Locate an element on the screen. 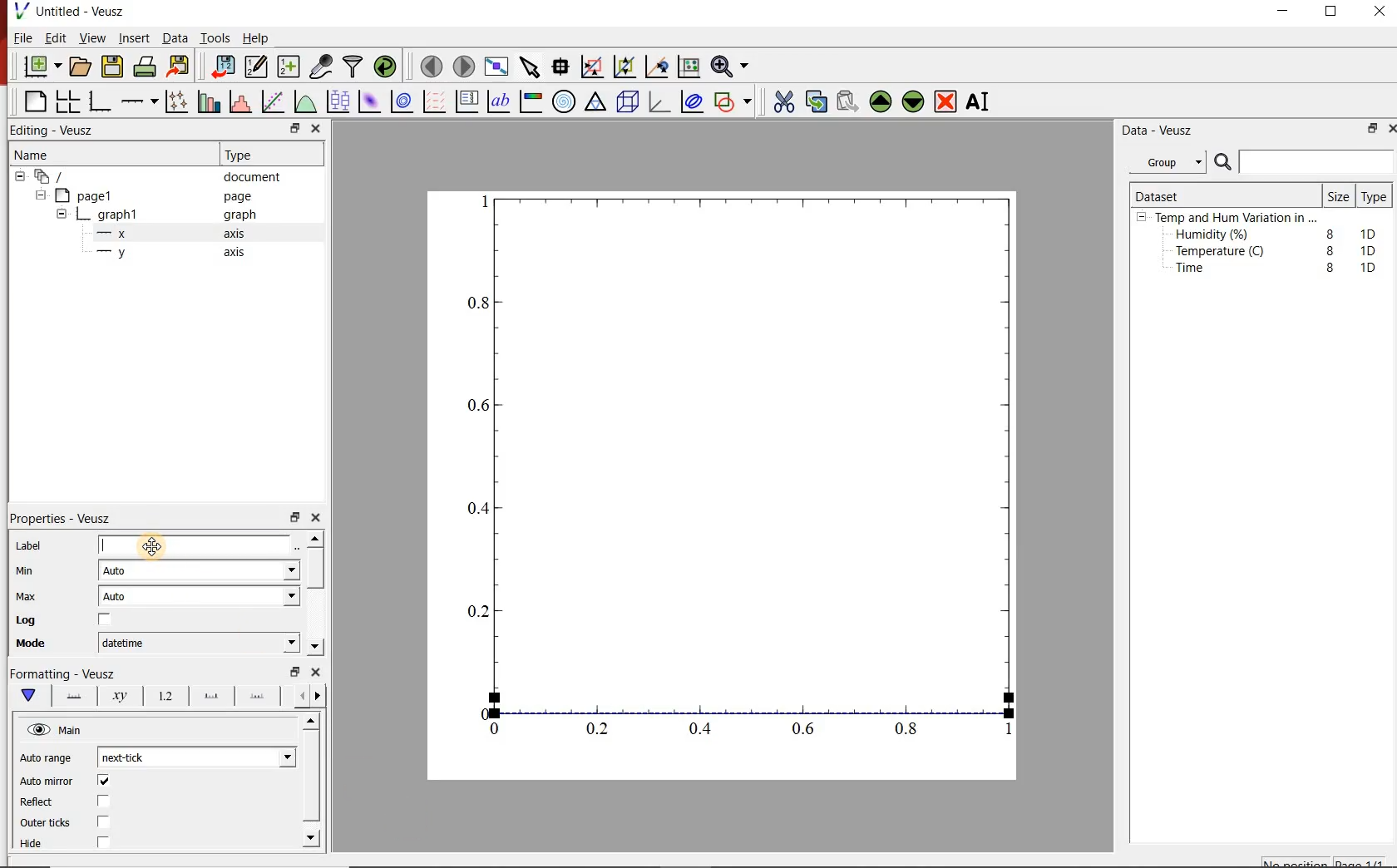  plot a vector field is located at coordinates (435, 101).